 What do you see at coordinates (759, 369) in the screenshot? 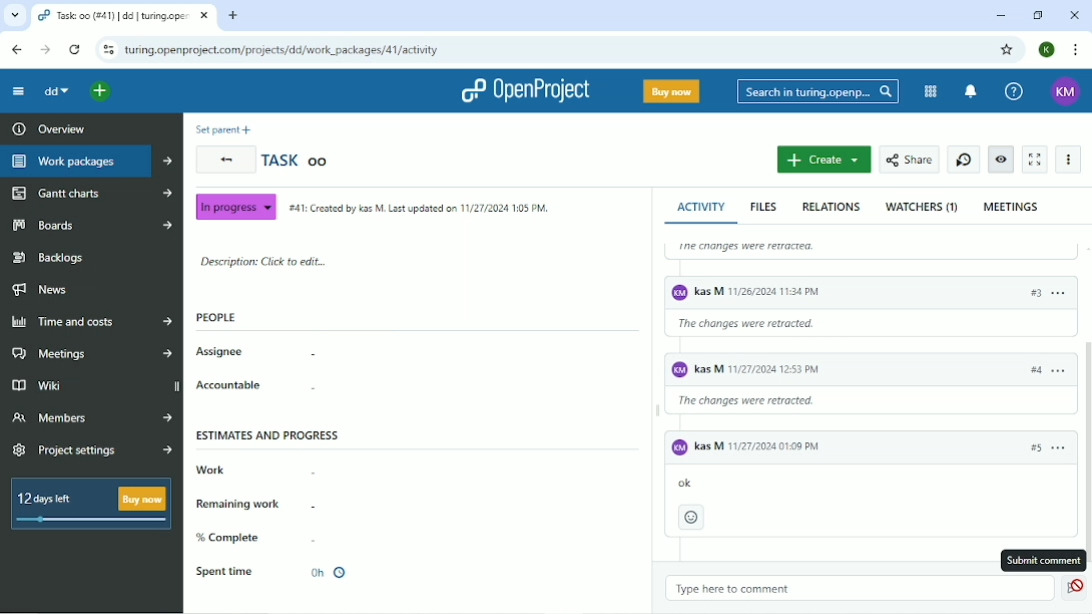
I see `KM Kas M 11/26/2024 12:53 PM` at bounding box center [759, 369].